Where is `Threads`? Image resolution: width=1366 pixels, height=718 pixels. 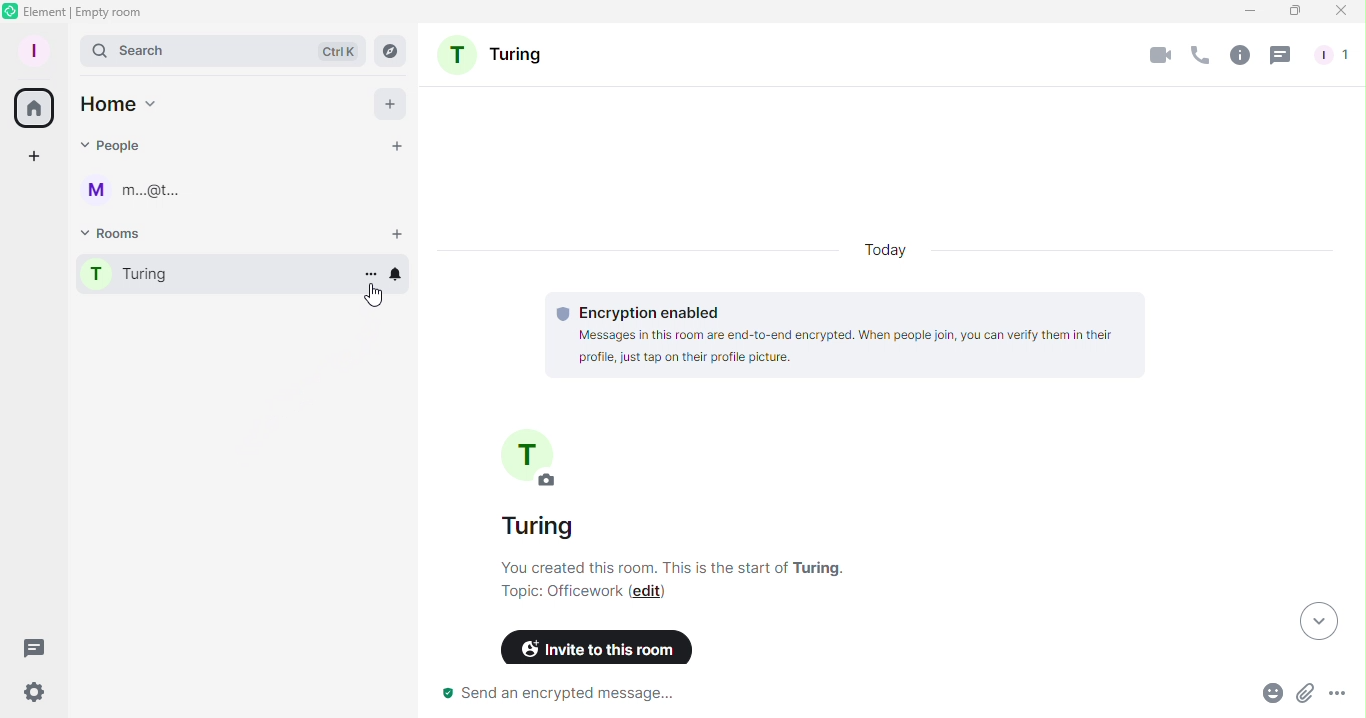
Threads is located at coordinates (1281, 59).